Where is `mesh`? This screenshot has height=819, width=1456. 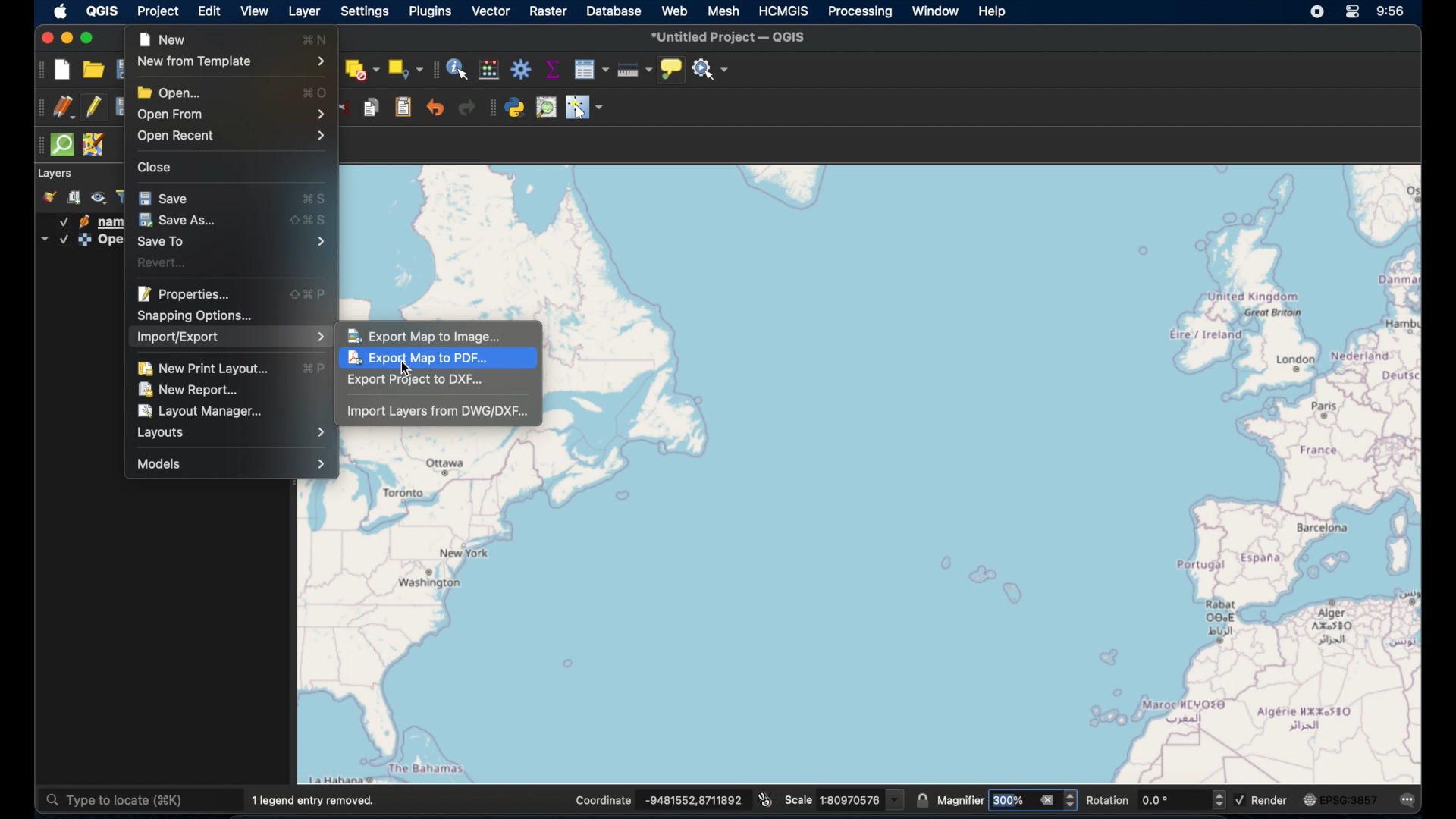
mesh is located at coordinates (723, 11).